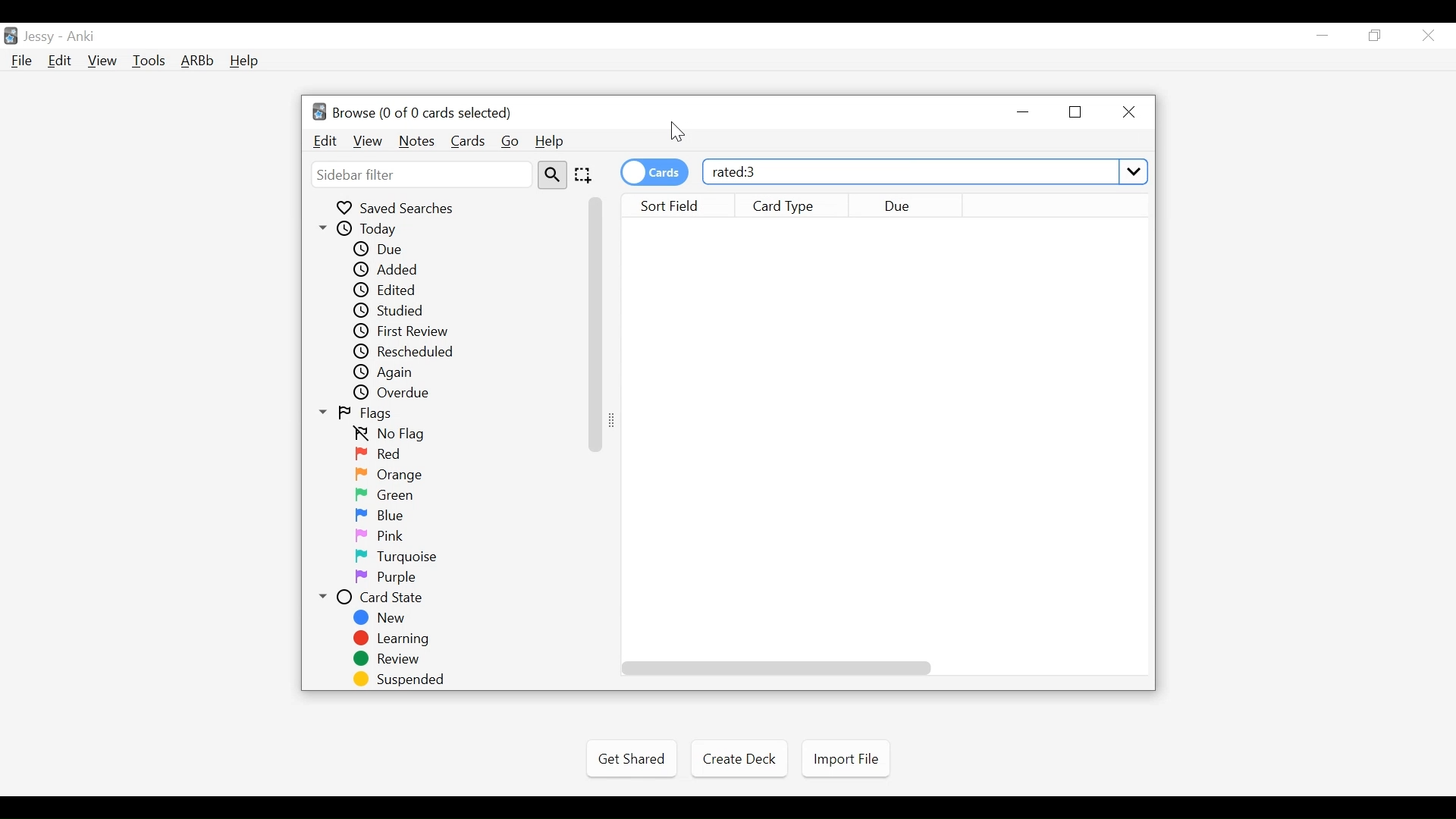  What do you see at coordinates (554, 175) in the screenshot?
I see `Search Tool` at bounding box center [554, 175].